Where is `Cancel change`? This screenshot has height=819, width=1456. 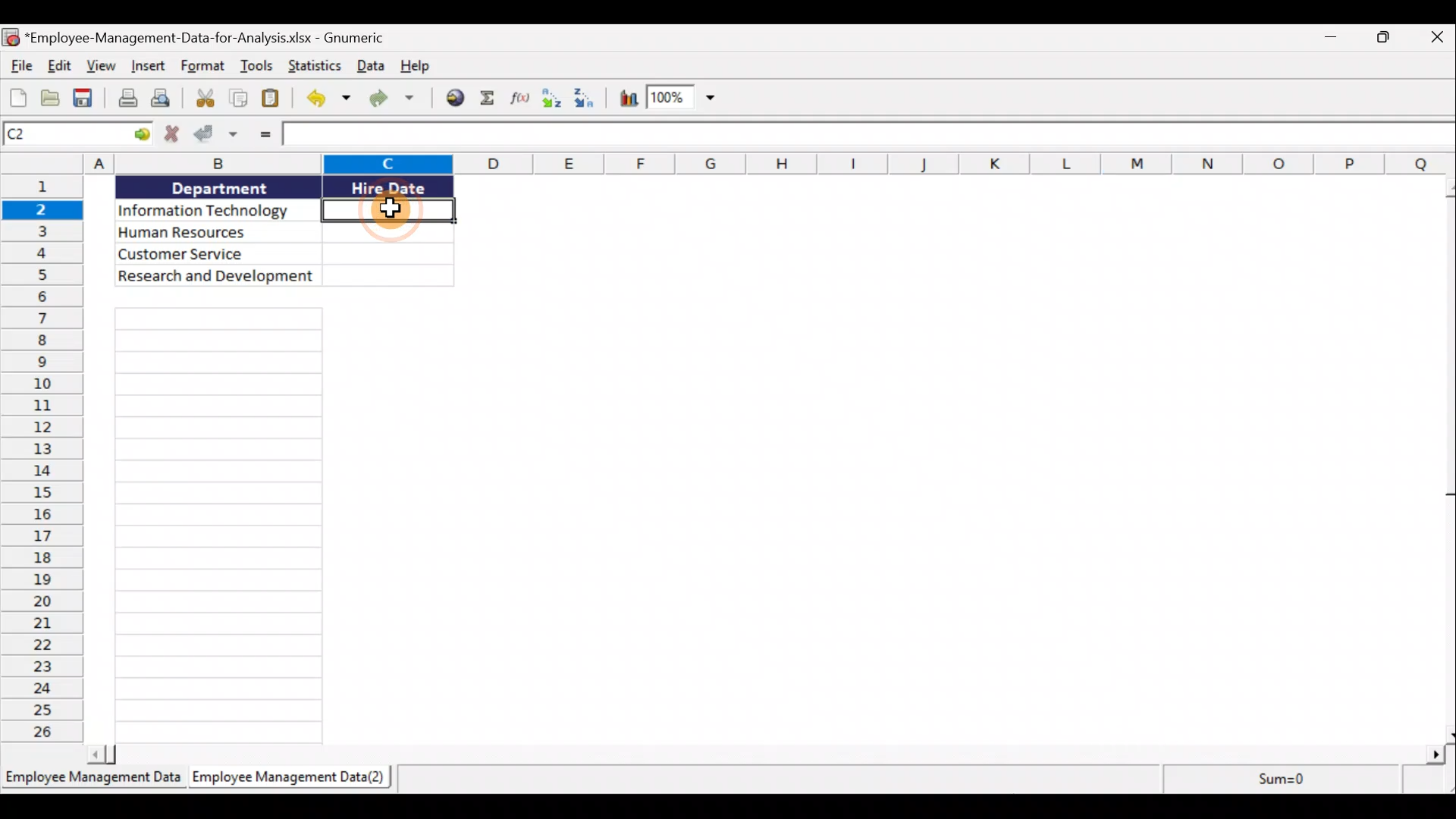
Cancel change is located at coordinates (171, 136).